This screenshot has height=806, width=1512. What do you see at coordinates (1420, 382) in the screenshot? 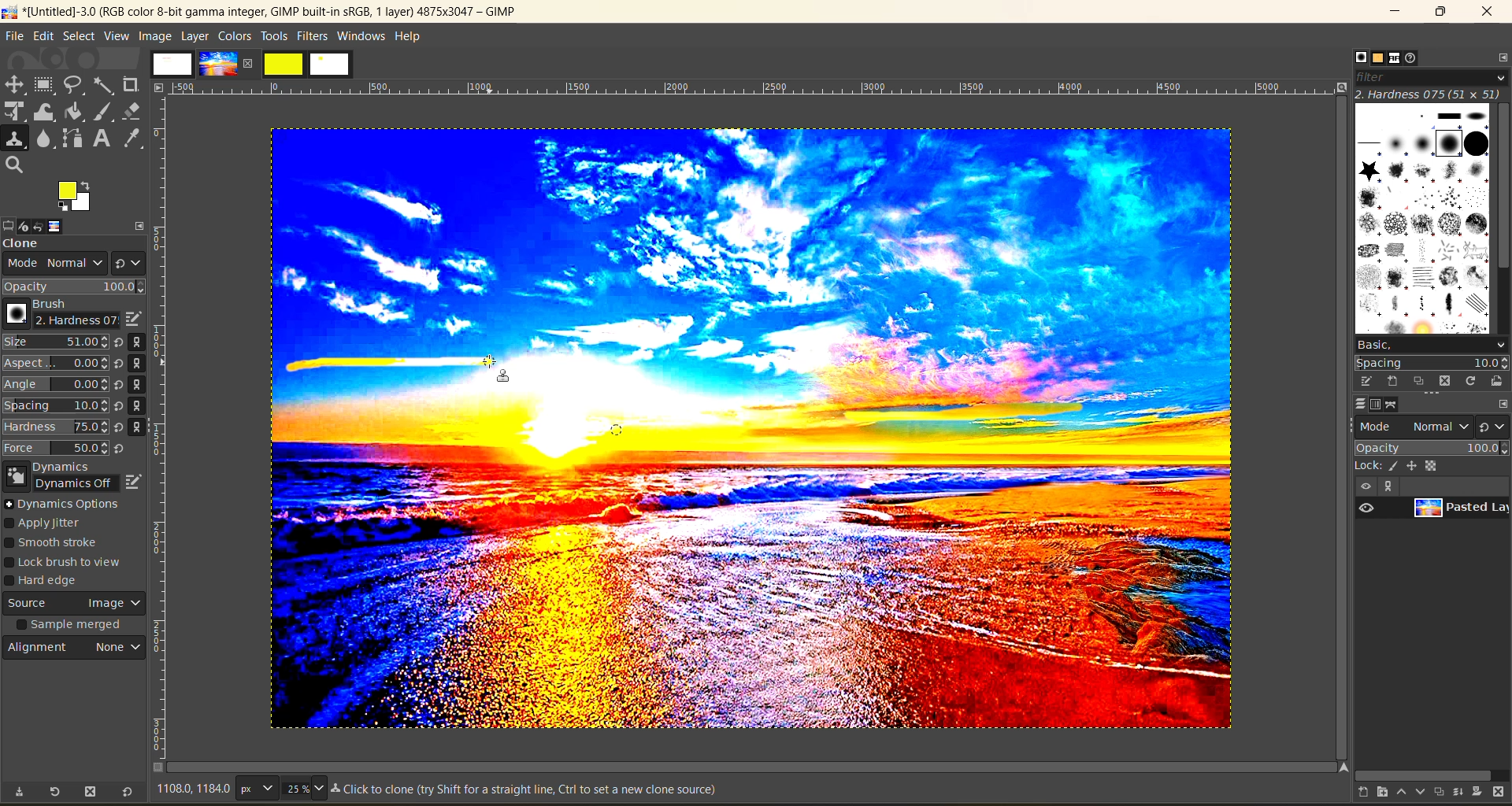
I see `duplicate this brush` at bounding box center [1420, 382].